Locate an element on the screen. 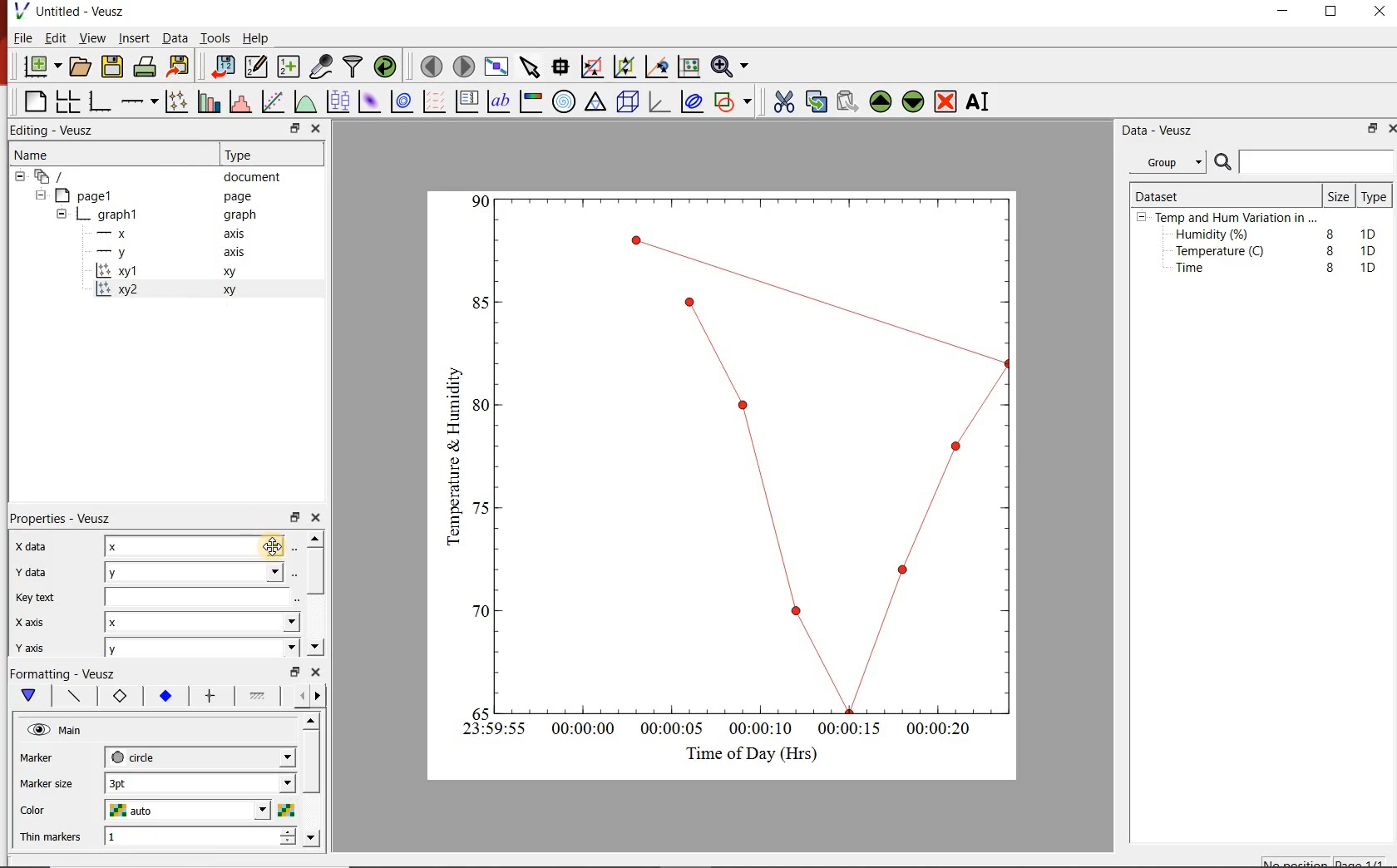 The image size is (1397, 868). capture remote data is located at coordinates (320, 65).